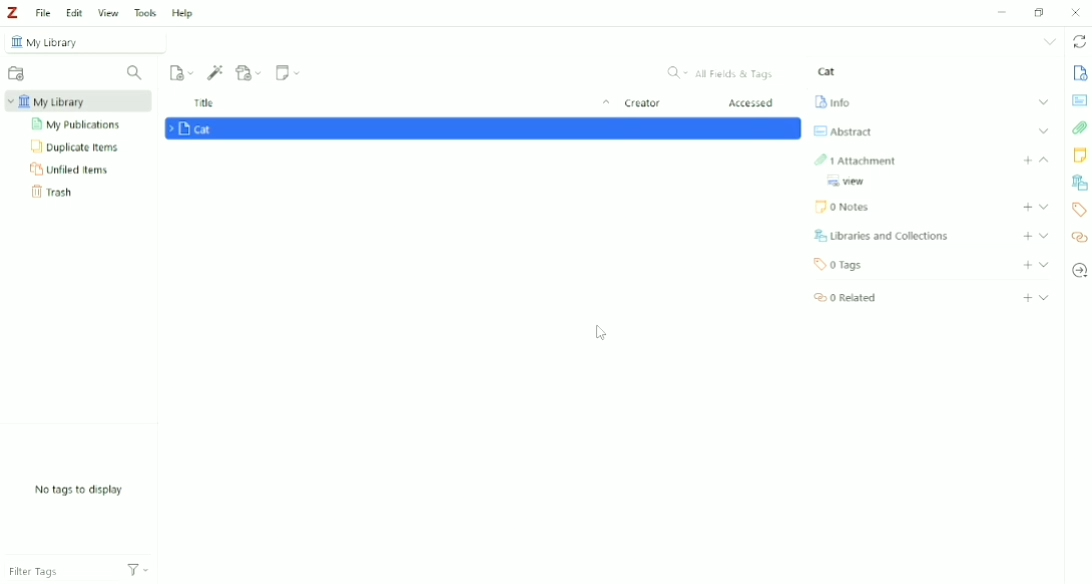 The height and width of the screenshot is (584, 1092). What do you see at coordinates (1046, 299) in the screenshot?
I see `Expand section` at bounding box center [1046, 299].